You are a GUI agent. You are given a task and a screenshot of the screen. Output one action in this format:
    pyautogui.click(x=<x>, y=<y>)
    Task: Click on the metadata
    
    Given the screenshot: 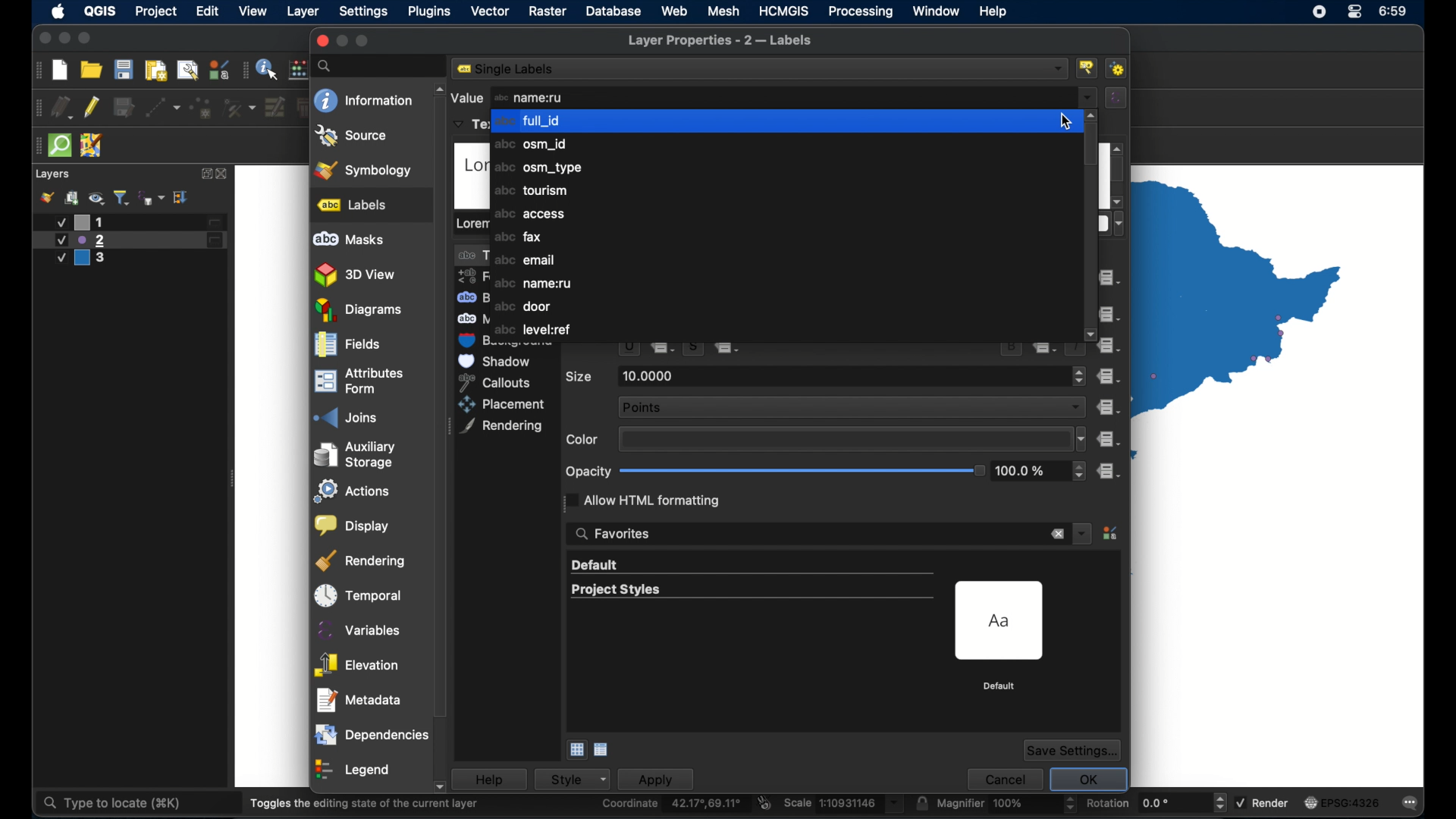 What is the action you would take?
    pyautogui.click(x=359, y=696)
    